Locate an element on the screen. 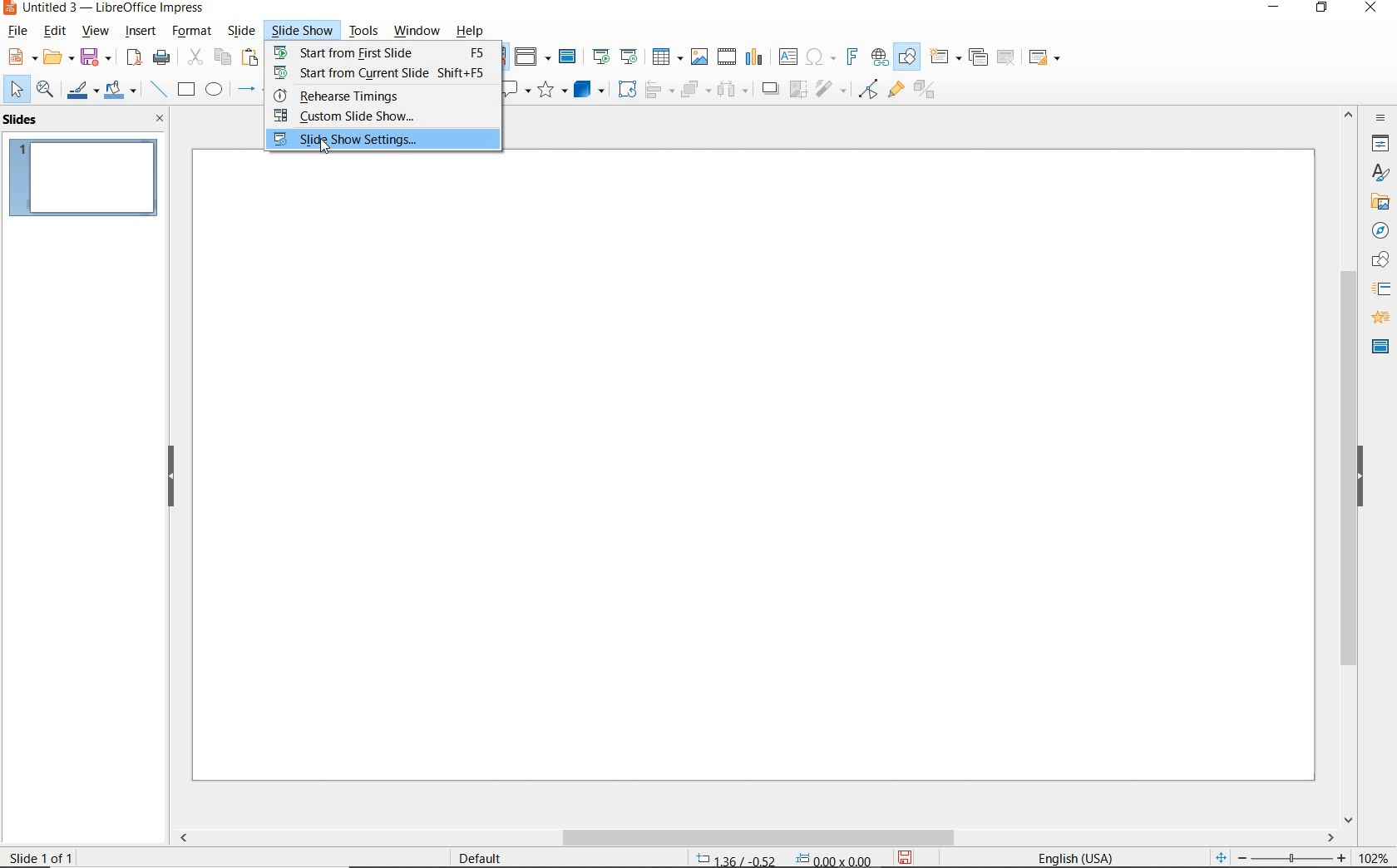 This screenshot has height=868, width=1397. WINDOW is located at coordinates (416, 30).